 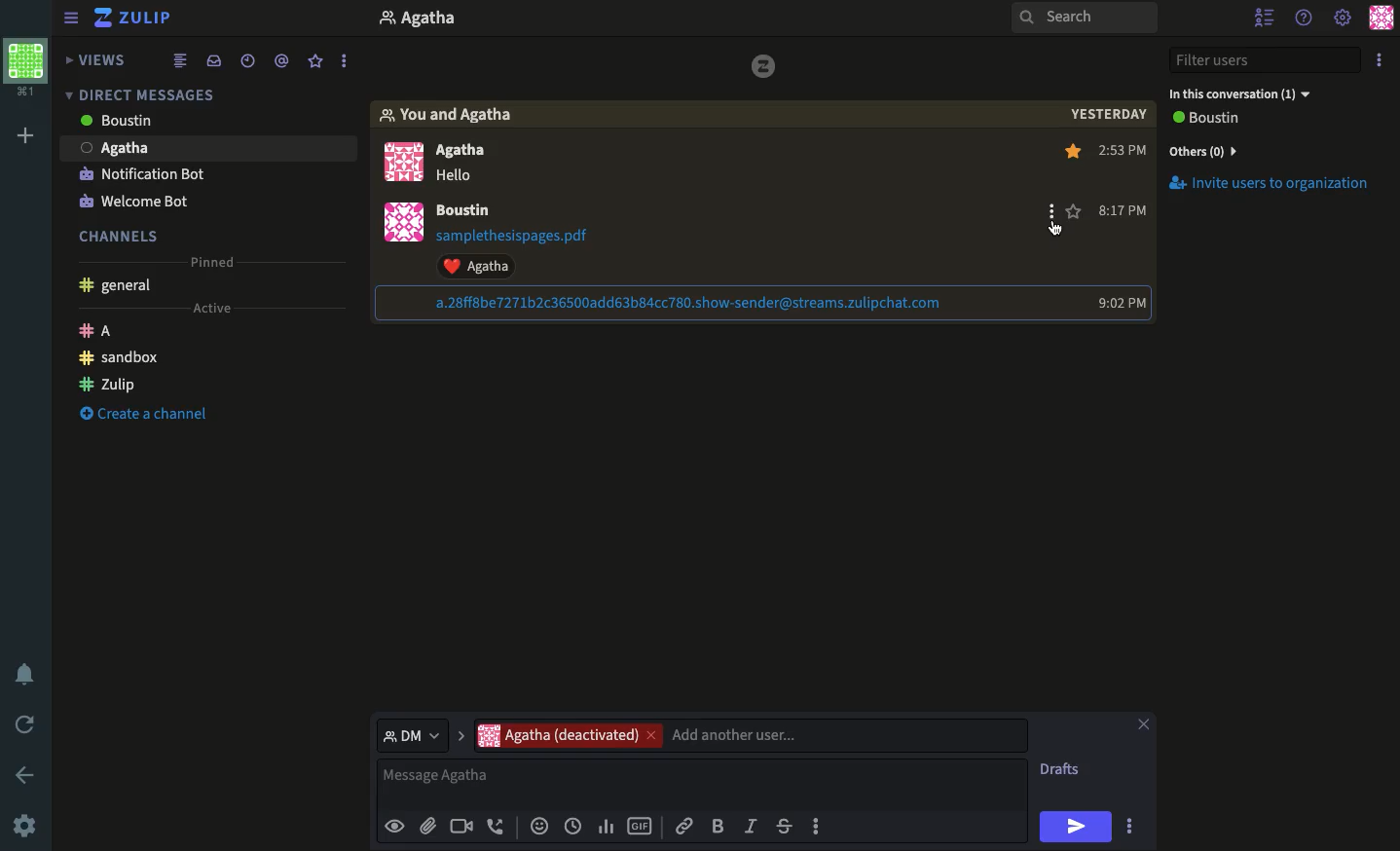 I want to click on Settings, so click(x=24, y=828).